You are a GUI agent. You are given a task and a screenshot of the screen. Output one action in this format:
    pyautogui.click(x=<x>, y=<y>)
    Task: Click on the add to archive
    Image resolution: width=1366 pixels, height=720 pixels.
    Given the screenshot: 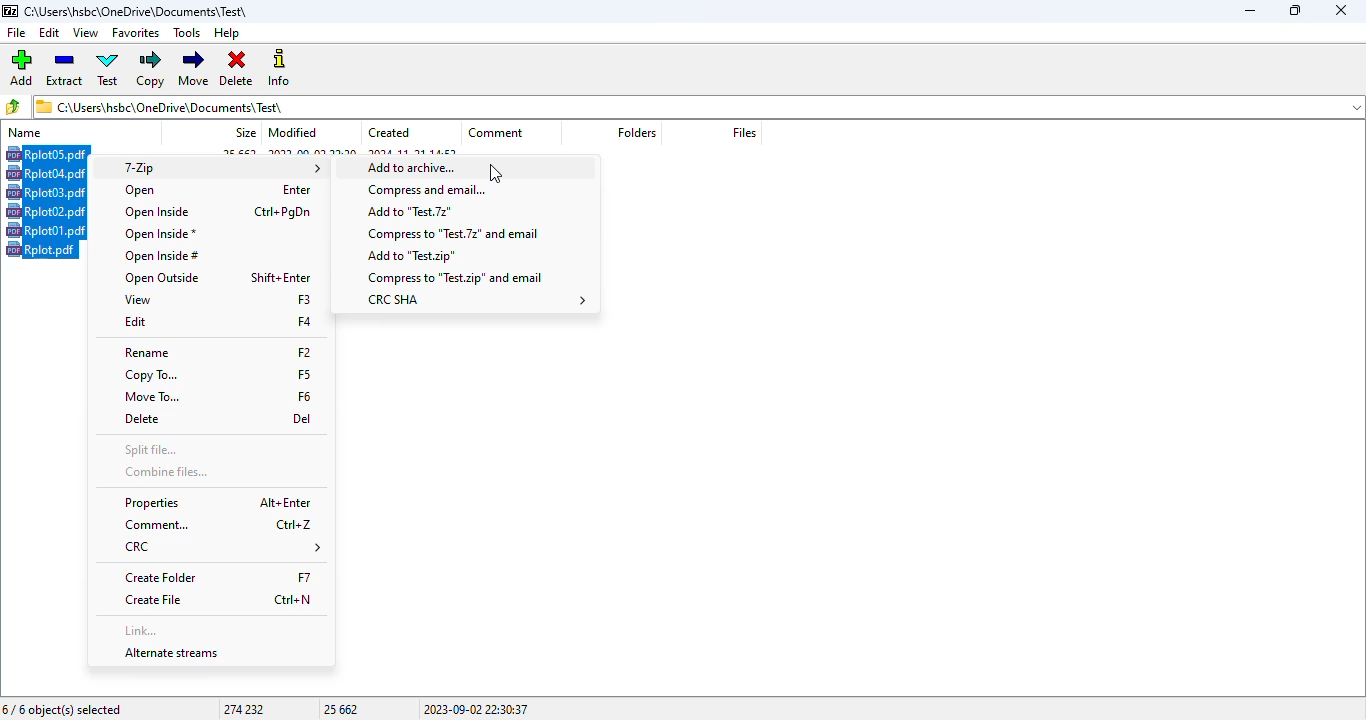 What is the action you would take?
    pyautogui.click(x=409, y=167)
    